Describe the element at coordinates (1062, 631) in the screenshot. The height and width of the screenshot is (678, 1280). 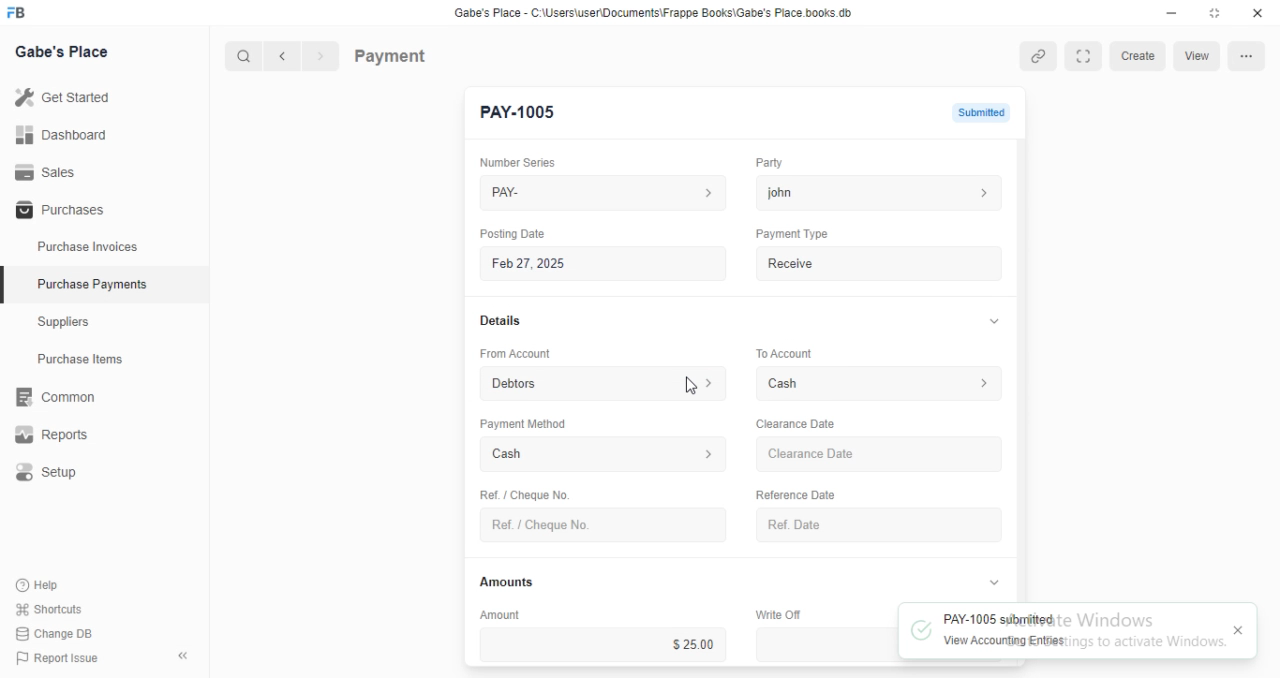
I see `PAY-1005 submitted. View Accounting Entries` at that location.